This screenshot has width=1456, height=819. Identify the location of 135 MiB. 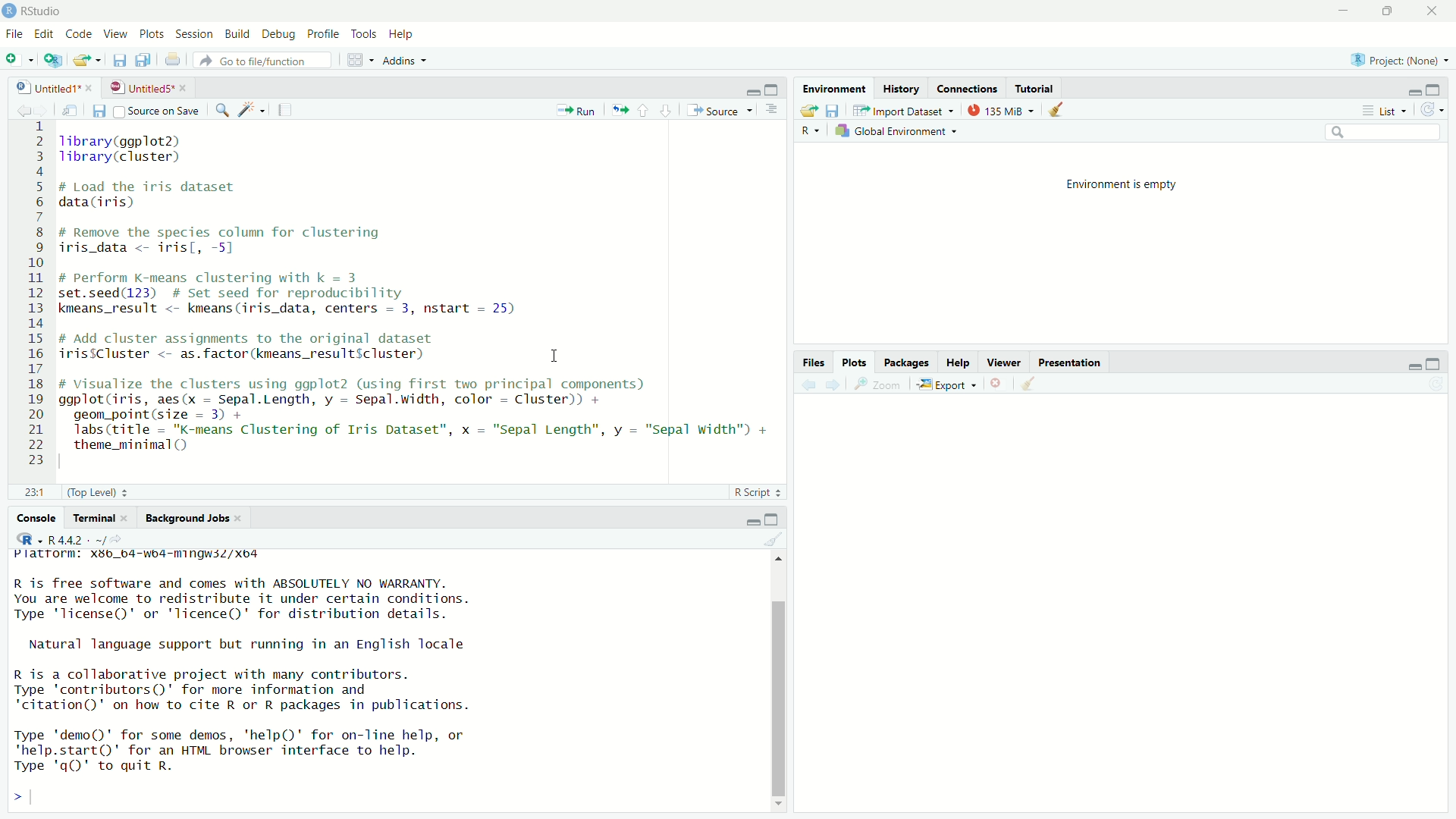
(1000, 109).